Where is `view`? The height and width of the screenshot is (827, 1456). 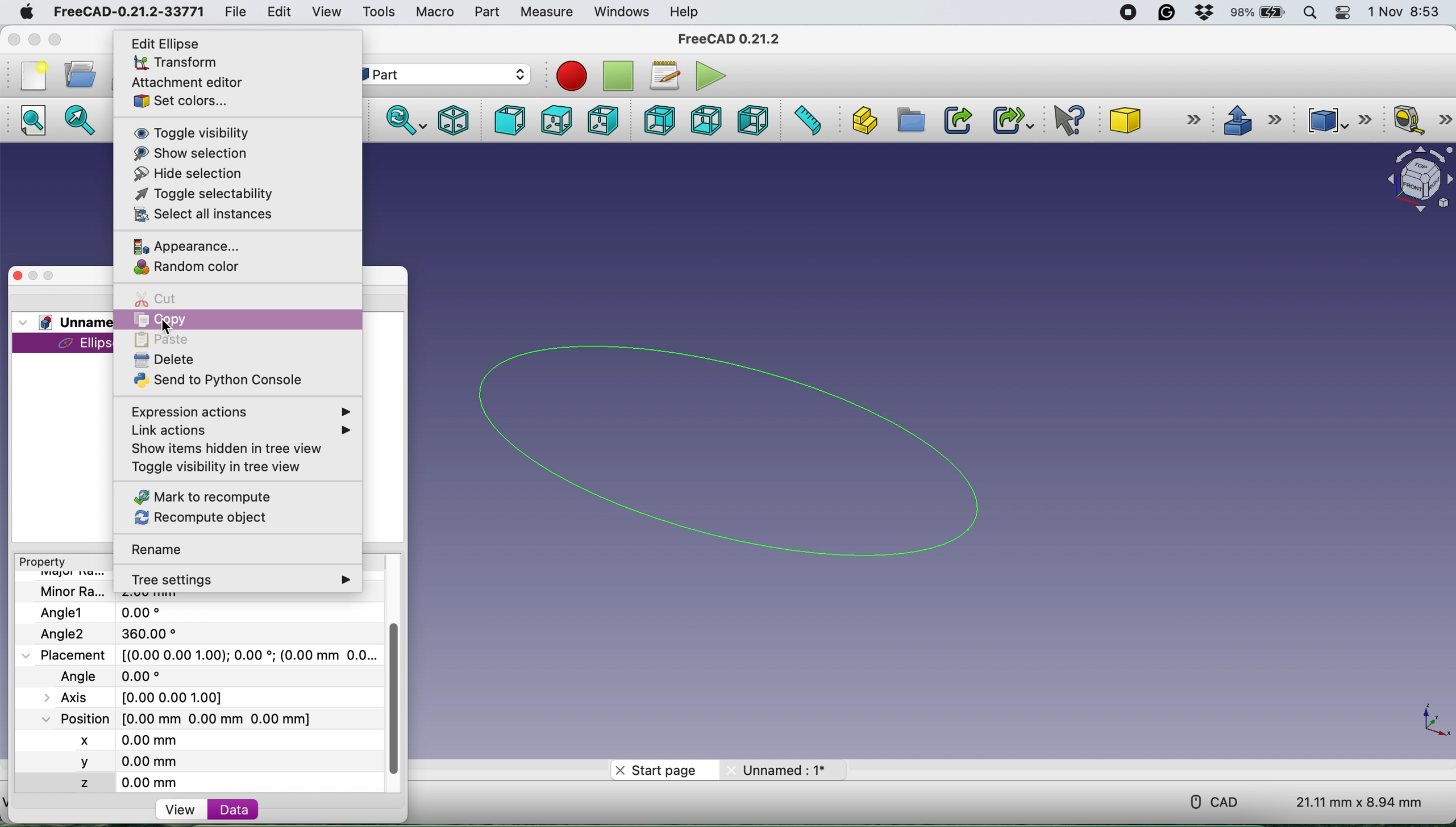
view is located at coordinates (185, 811).